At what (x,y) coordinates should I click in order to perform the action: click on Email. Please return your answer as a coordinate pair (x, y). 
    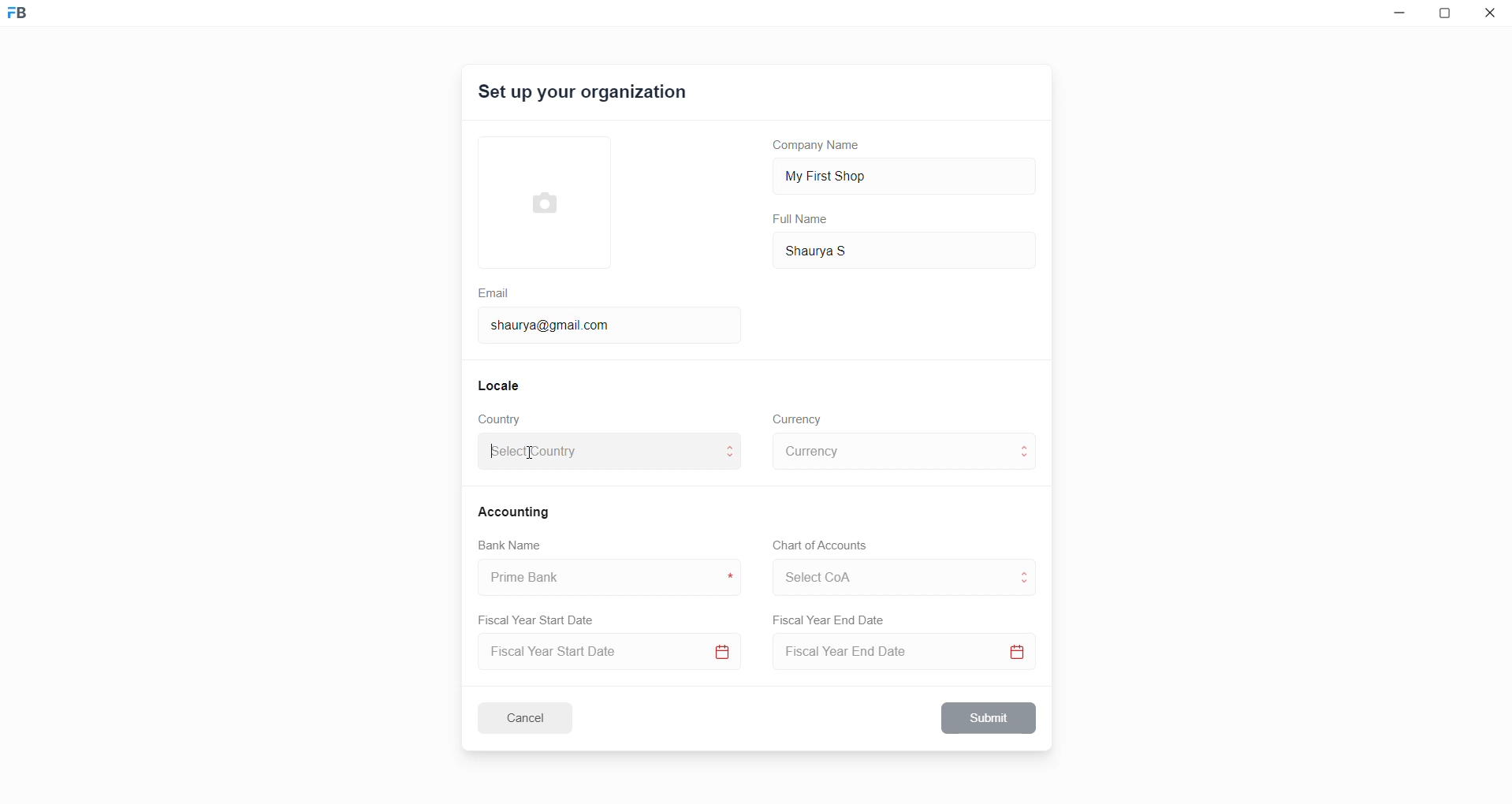
    Looking at the image, I should click on (496, 291).